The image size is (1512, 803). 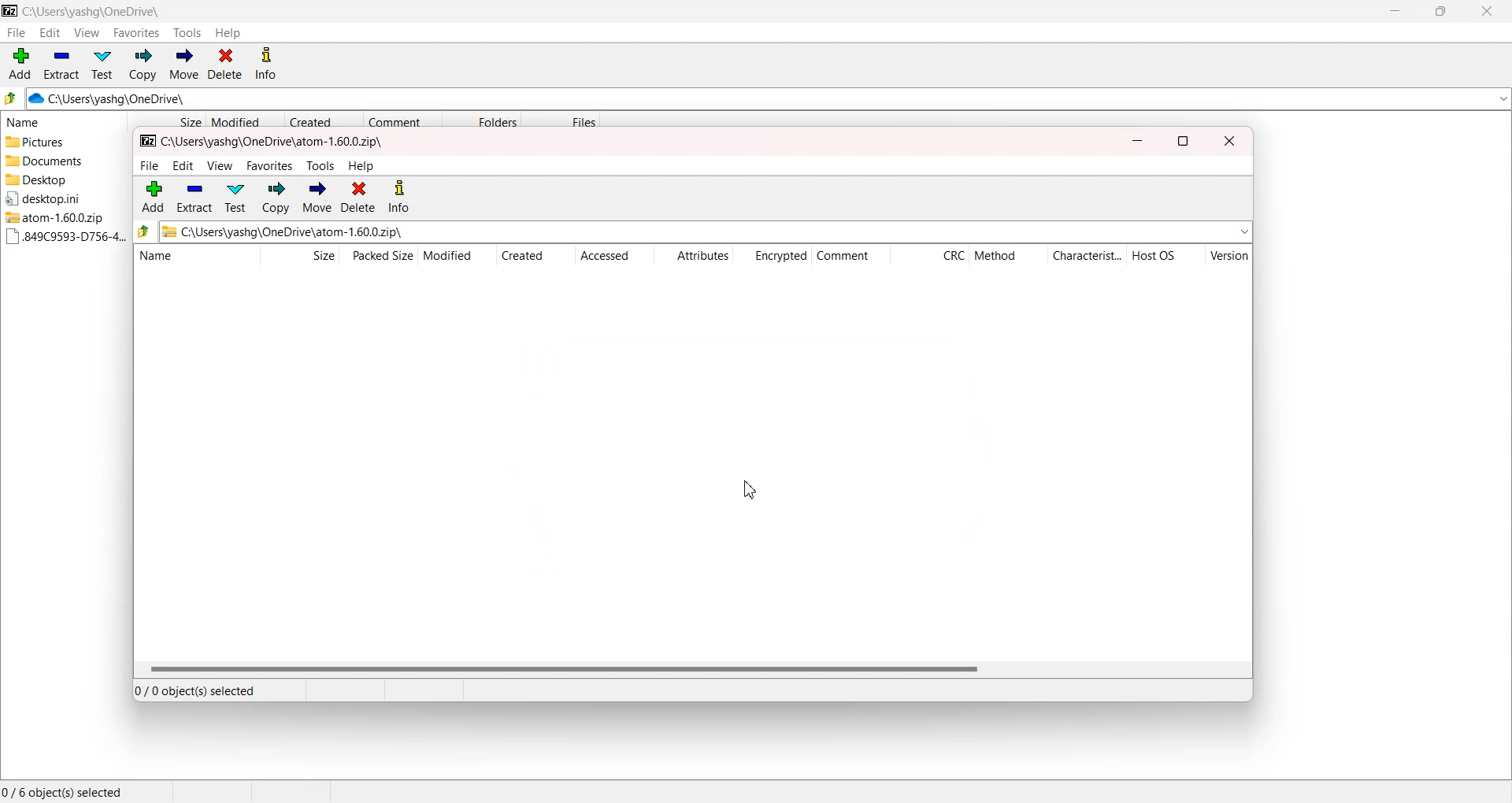 I want to click on Encrypted, so click(x=771, y=257).